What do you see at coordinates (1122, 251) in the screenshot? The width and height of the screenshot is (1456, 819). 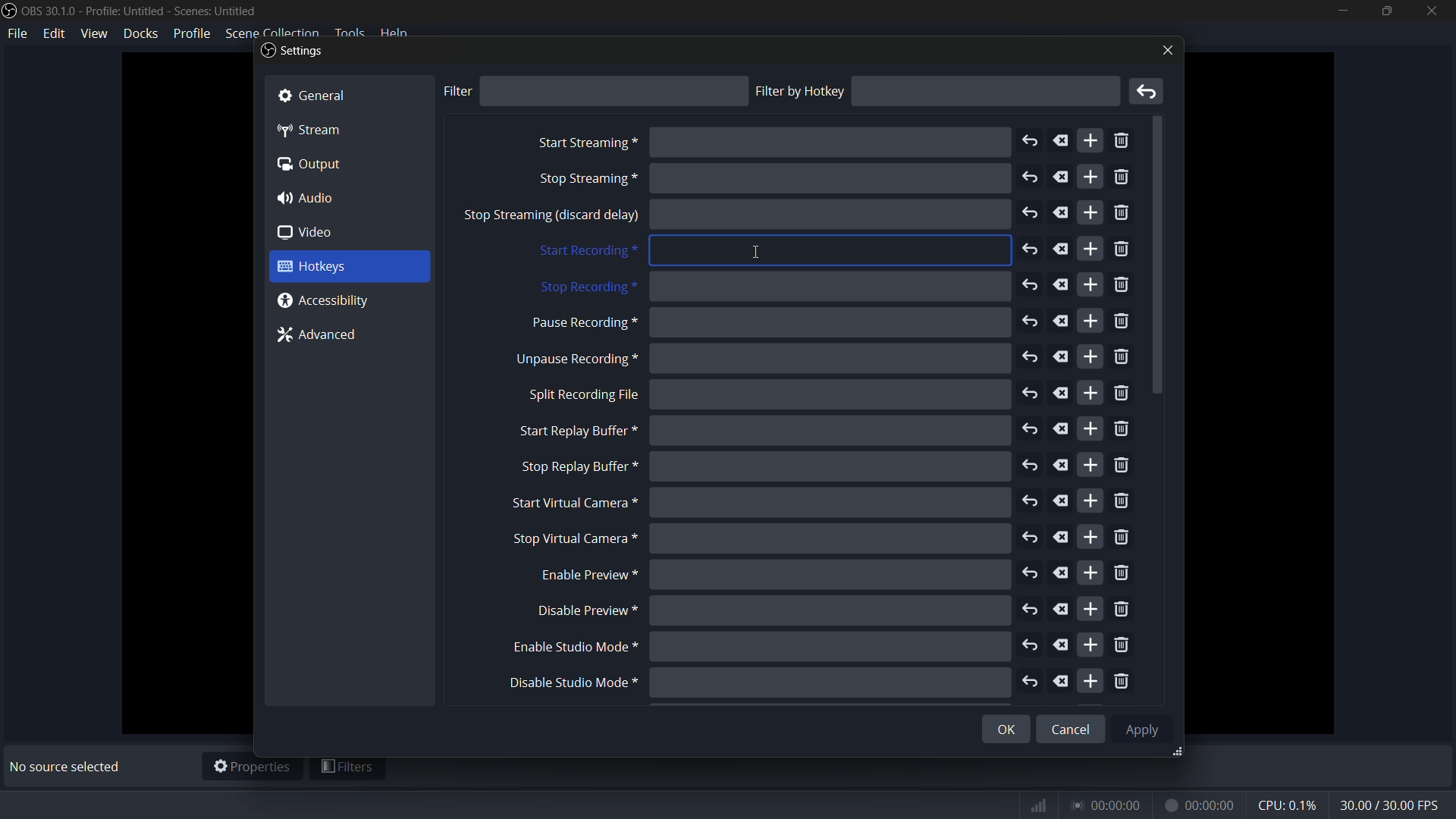 I see `remove` at bounding box center [1122, 251].